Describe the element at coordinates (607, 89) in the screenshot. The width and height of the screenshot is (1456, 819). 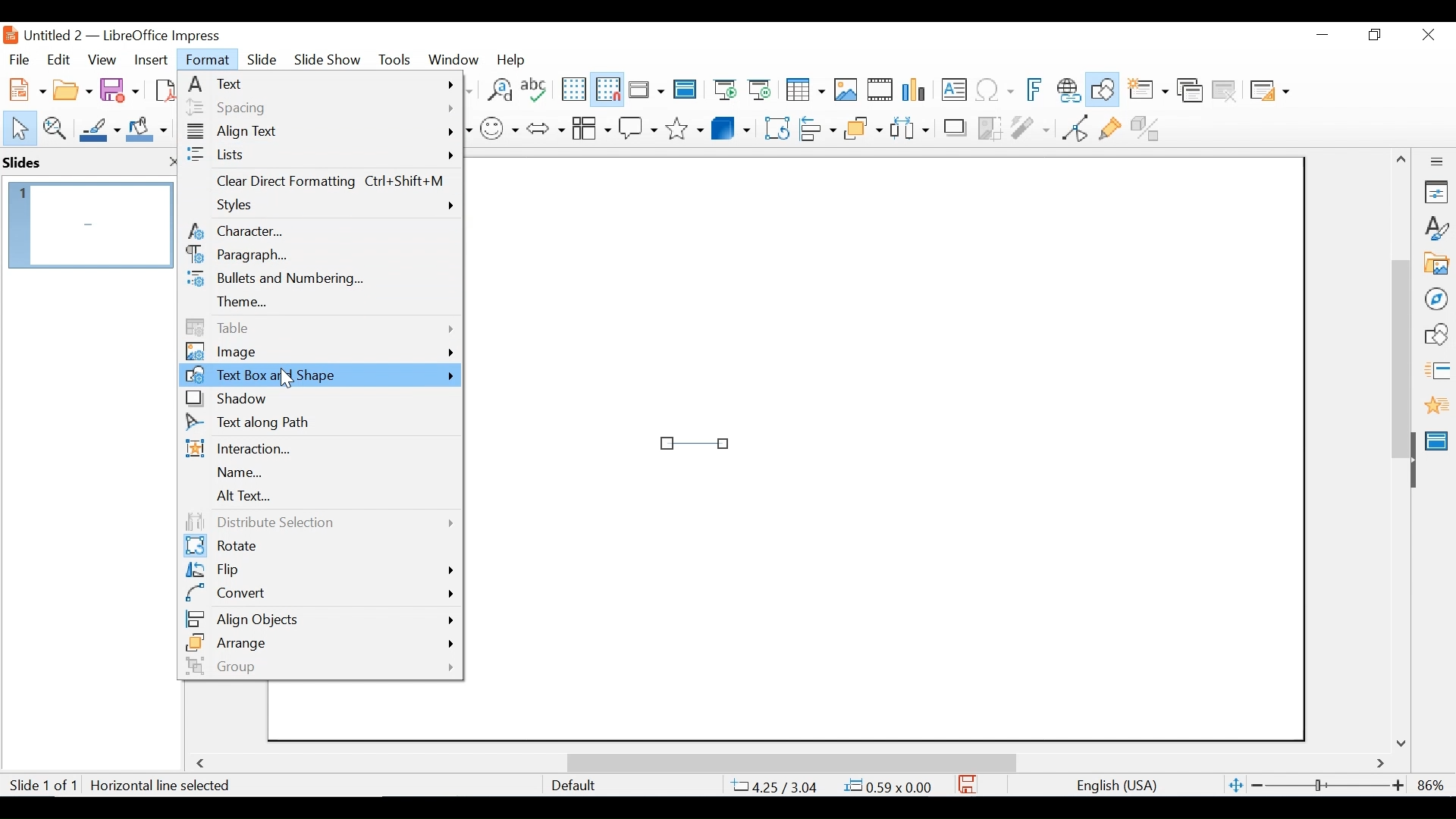
I see `Snap as Grid` at that location.